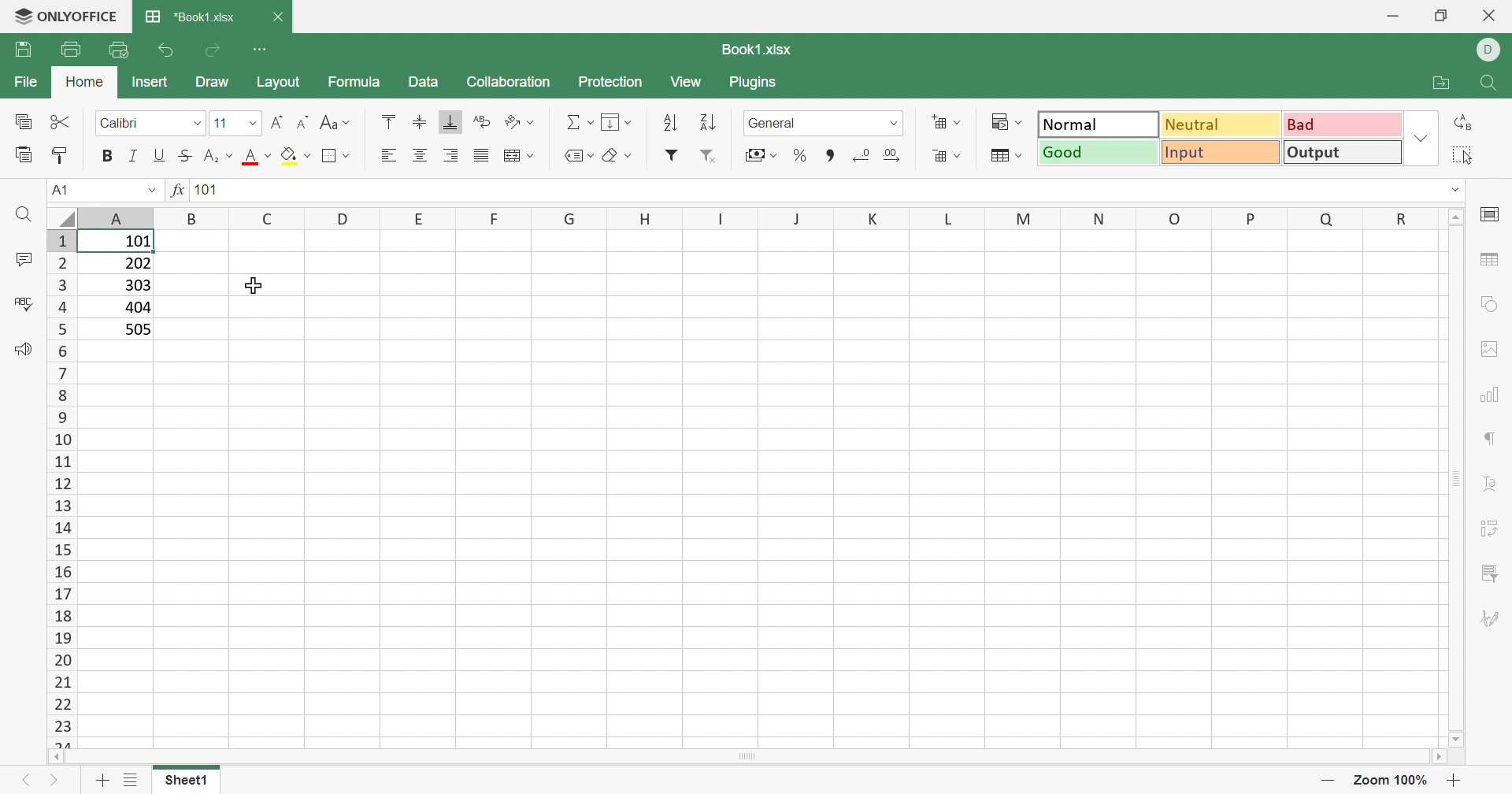 The image size is (1512, 794). What do you see at coordinates (200, 124) in the screenshot?
I see `Drop Down` at bounding box center [200, 124].